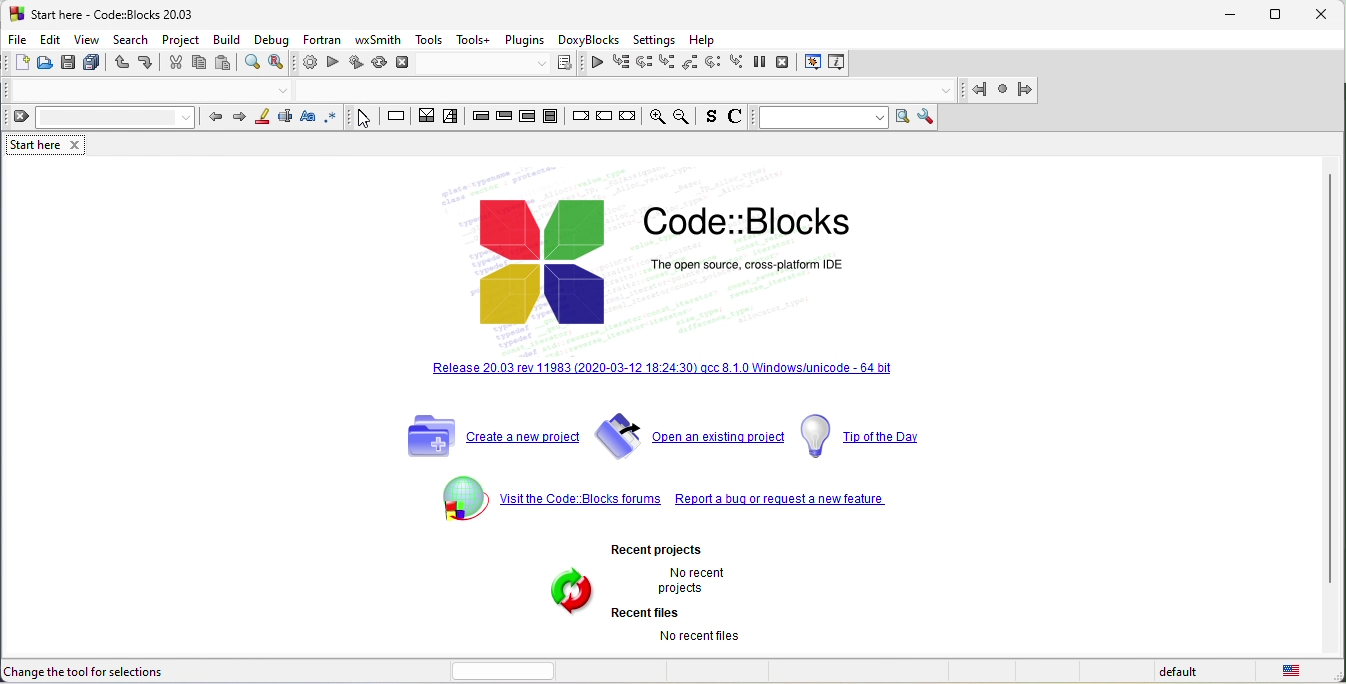  What do you see at coordinates (507, 119) in the screenshot?
I see `exit` at bounding box center [507, 119].